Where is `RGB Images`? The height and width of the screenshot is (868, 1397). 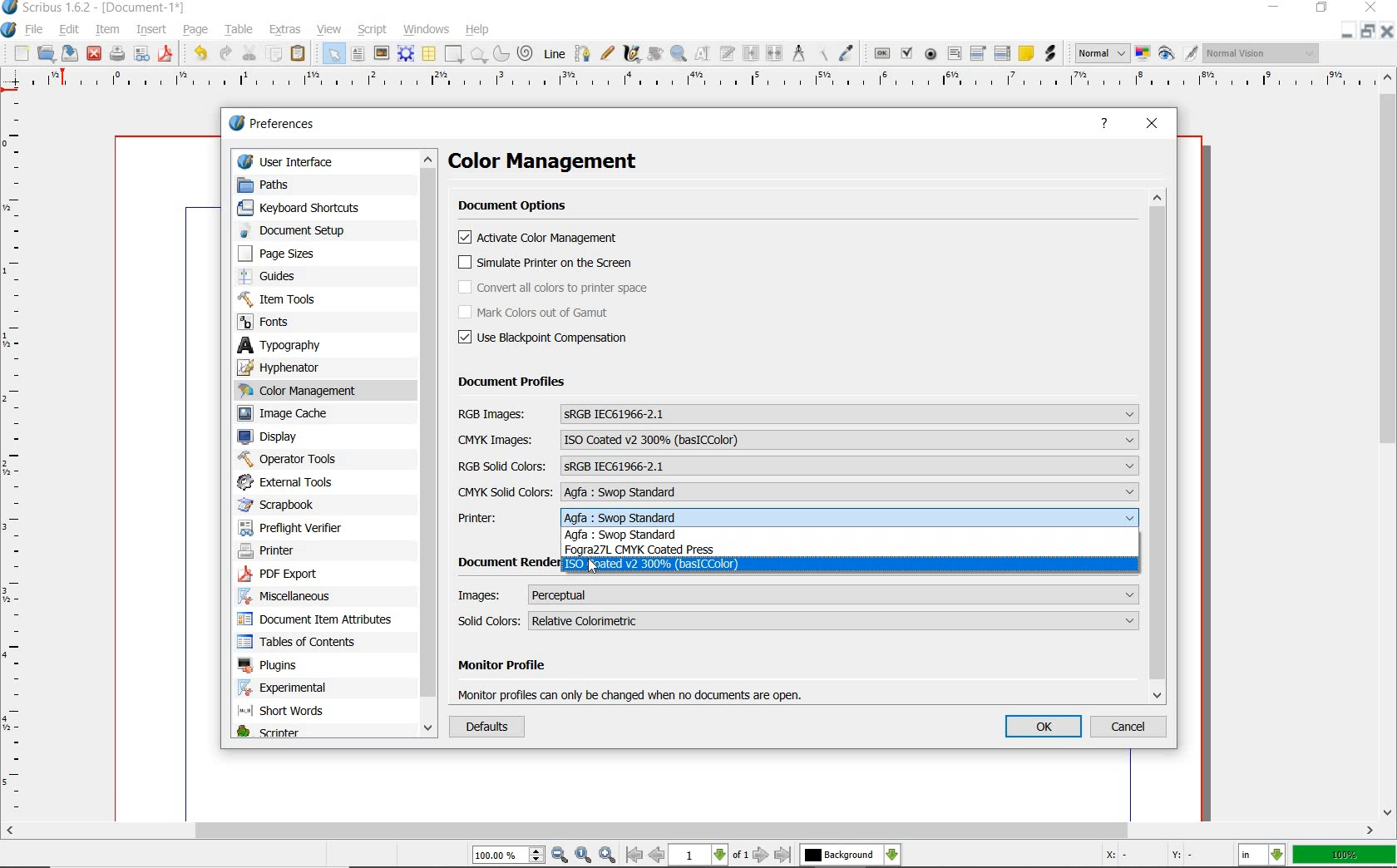
RGB Images is located at coordinates (797, 414).